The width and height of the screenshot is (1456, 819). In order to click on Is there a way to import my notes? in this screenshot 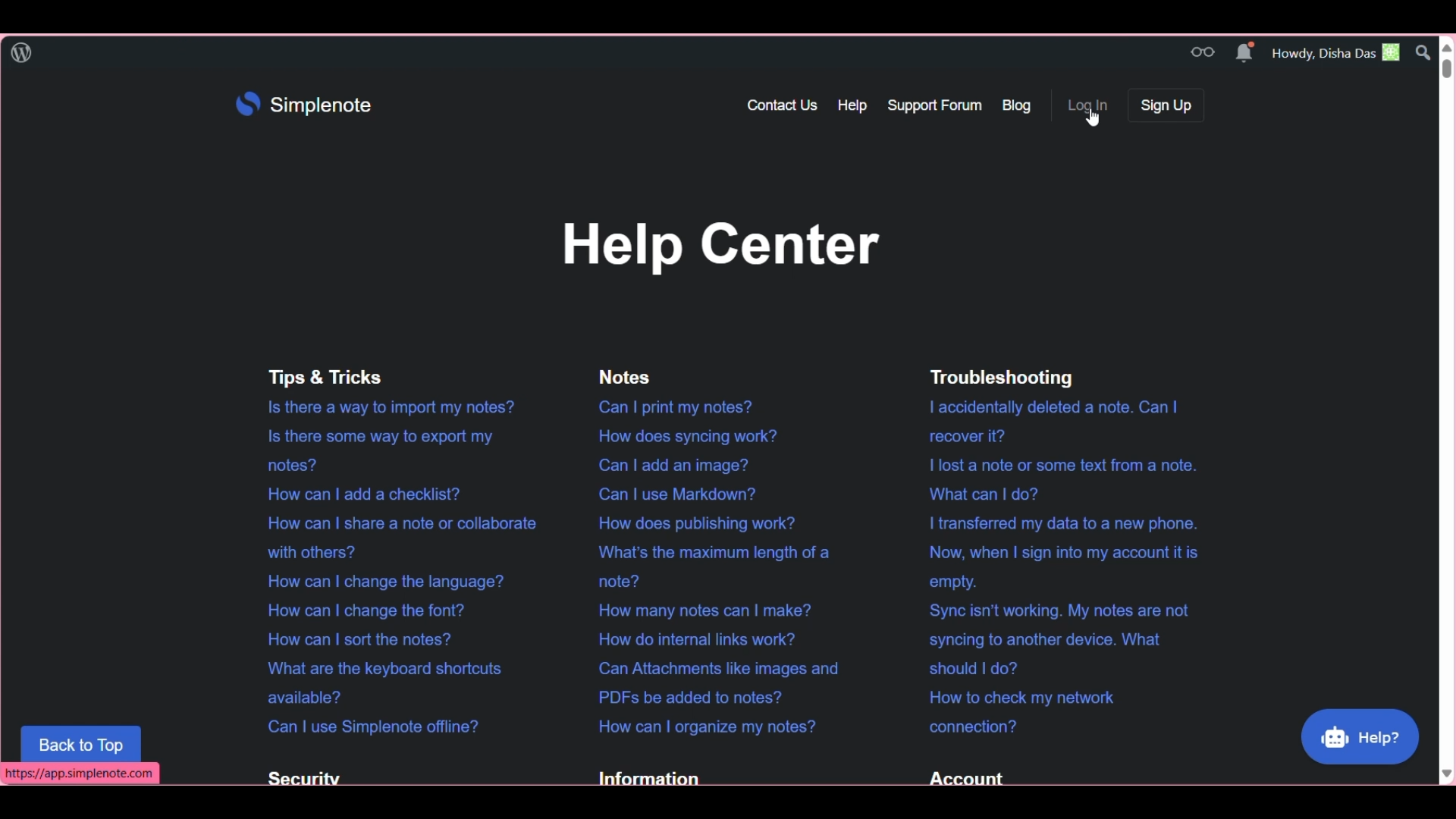, I will do `click(385, 406)`.